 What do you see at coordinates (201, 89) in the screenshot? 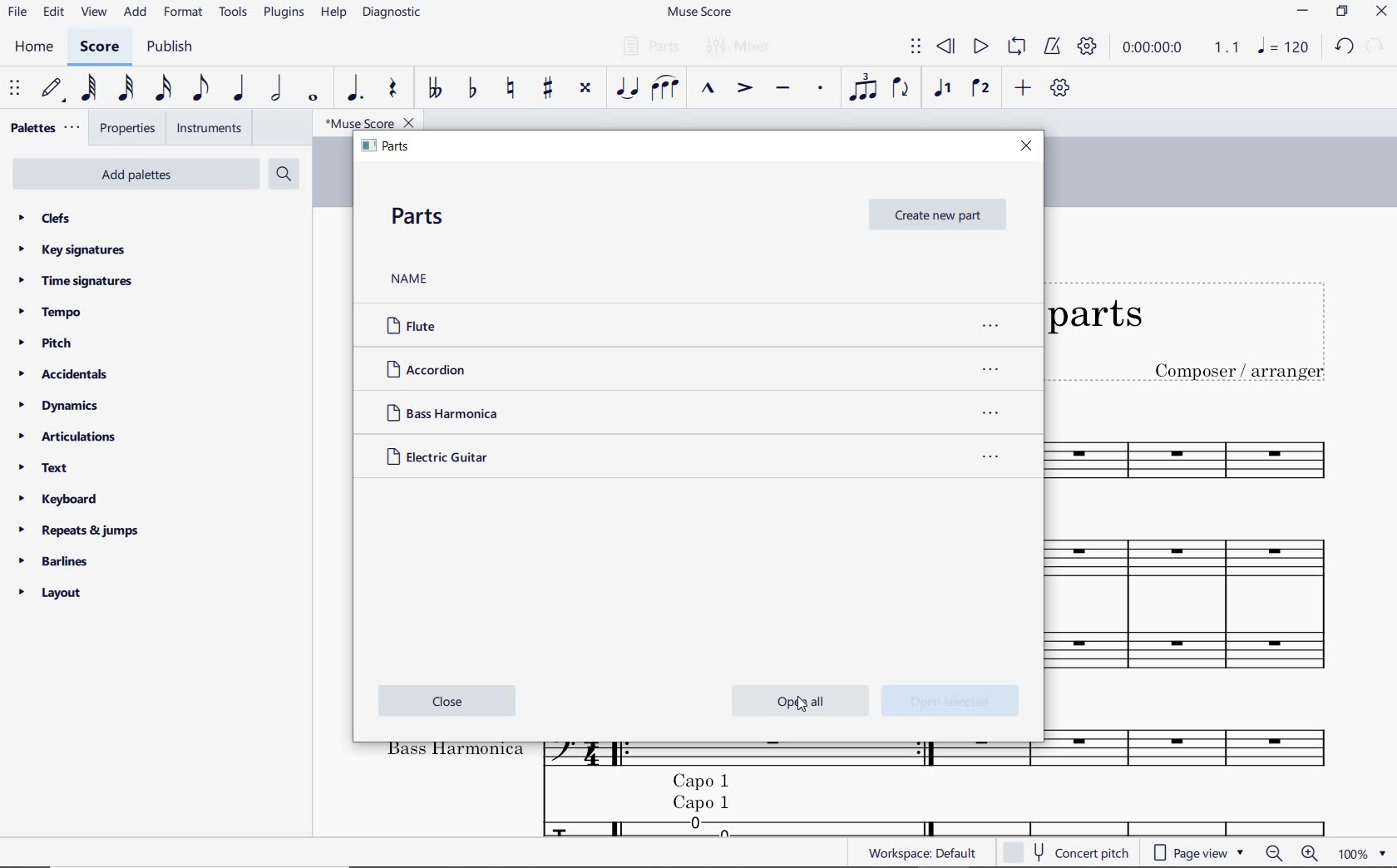
I see `eighth note` at bounding box center [201, 89].